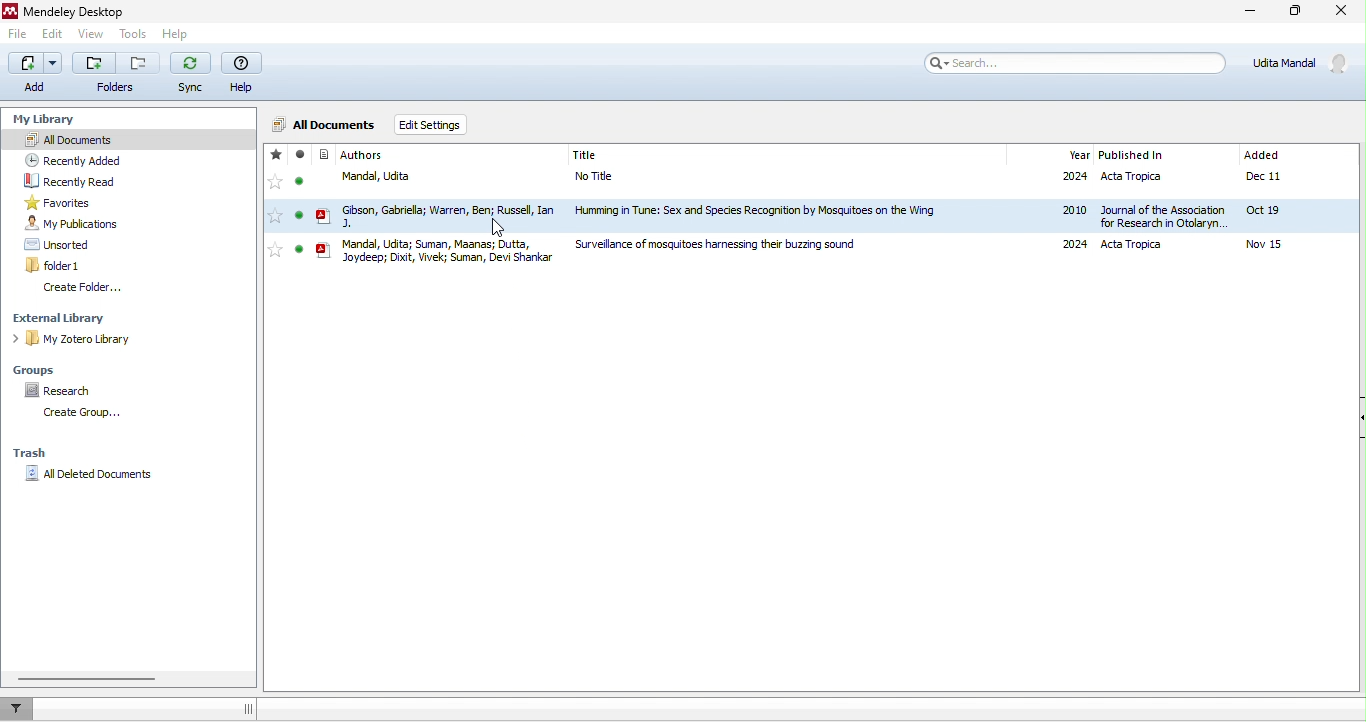 The height and width of the screenshot is (722, 1366). Describe the element at coordinates (300, 204) in the screenshot. I see `seen unseen` at that location.